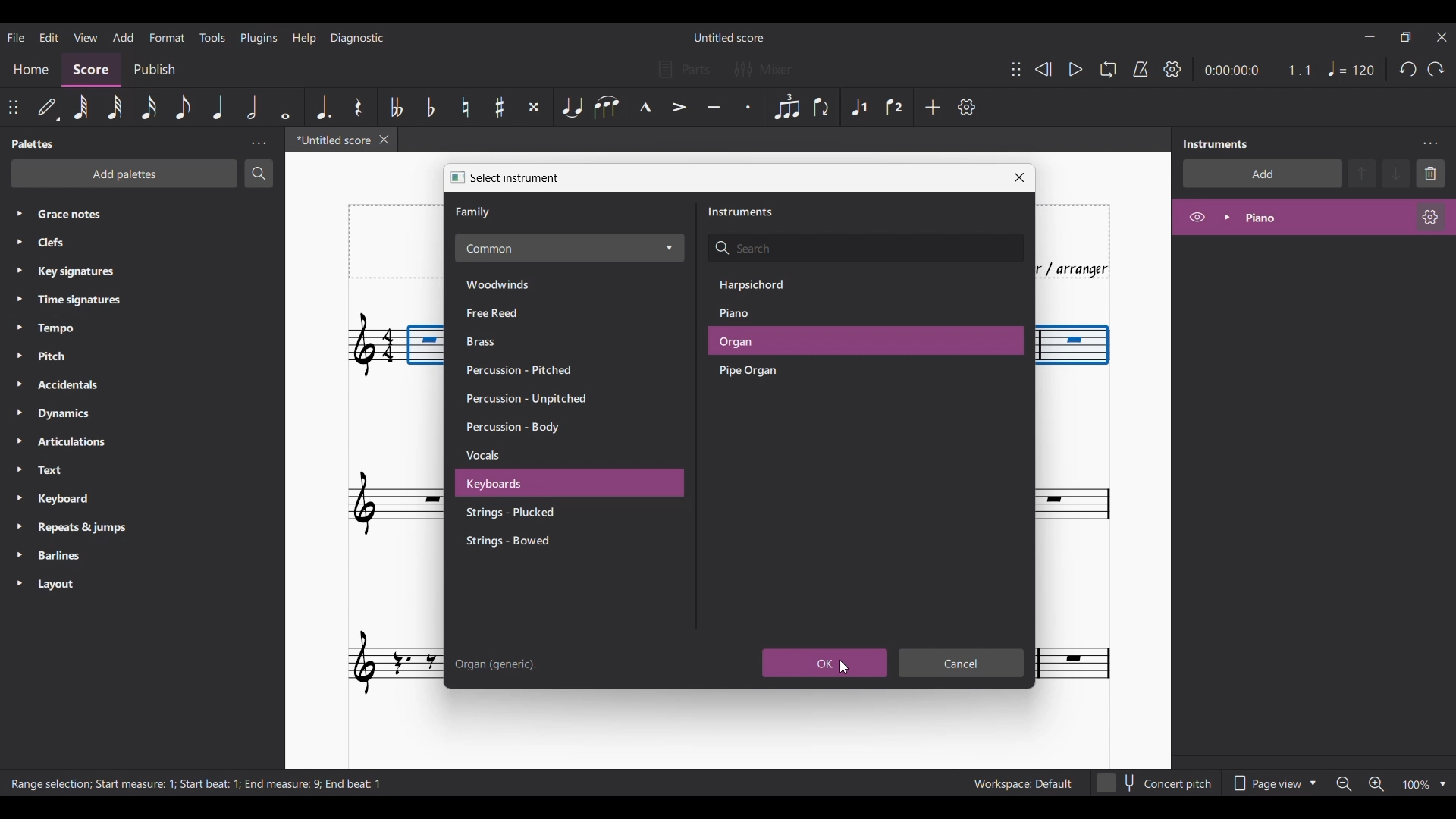 The image size is (1456, 819). What do you see at coordinates (82, 500) in the screenshot?
I see `Keyboard` at bounding box center [82, 500].